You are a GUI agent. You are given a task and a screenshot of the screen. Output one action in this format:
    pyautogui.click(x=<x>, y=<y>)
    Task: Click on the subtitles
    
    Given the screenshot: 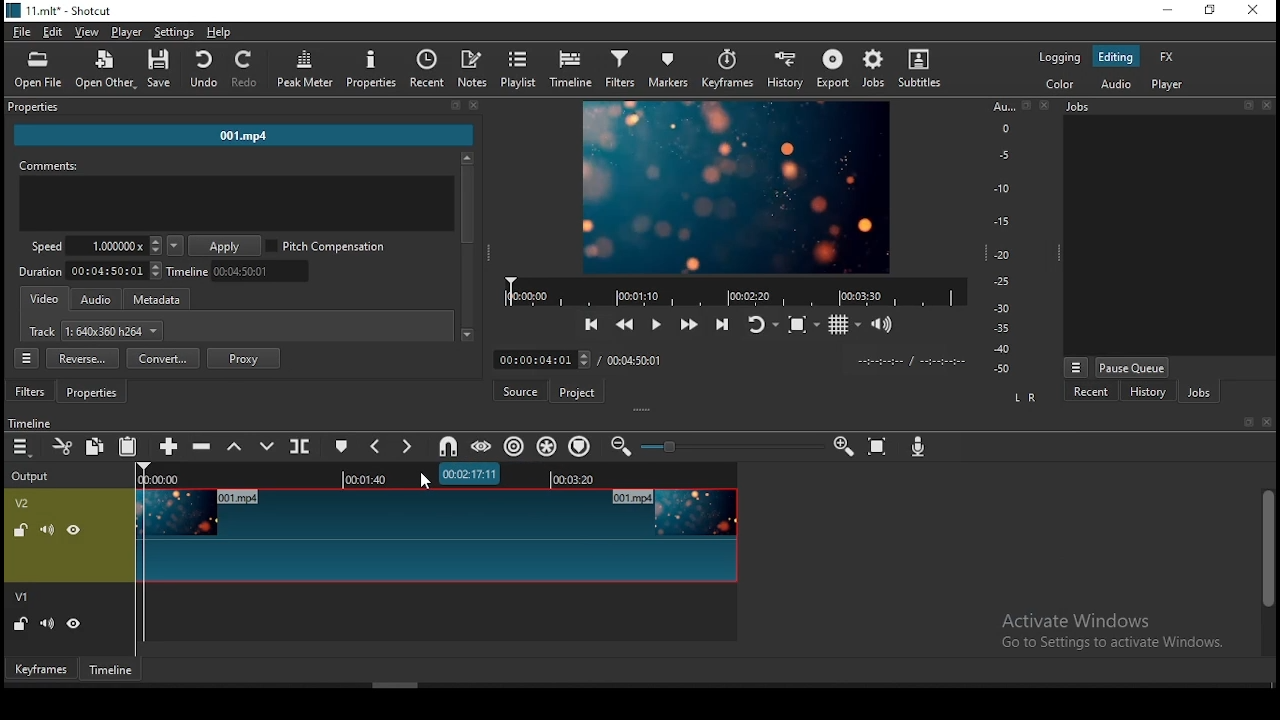 What is the action you would take?
    pyautogui.click(x=923, y=69)
    